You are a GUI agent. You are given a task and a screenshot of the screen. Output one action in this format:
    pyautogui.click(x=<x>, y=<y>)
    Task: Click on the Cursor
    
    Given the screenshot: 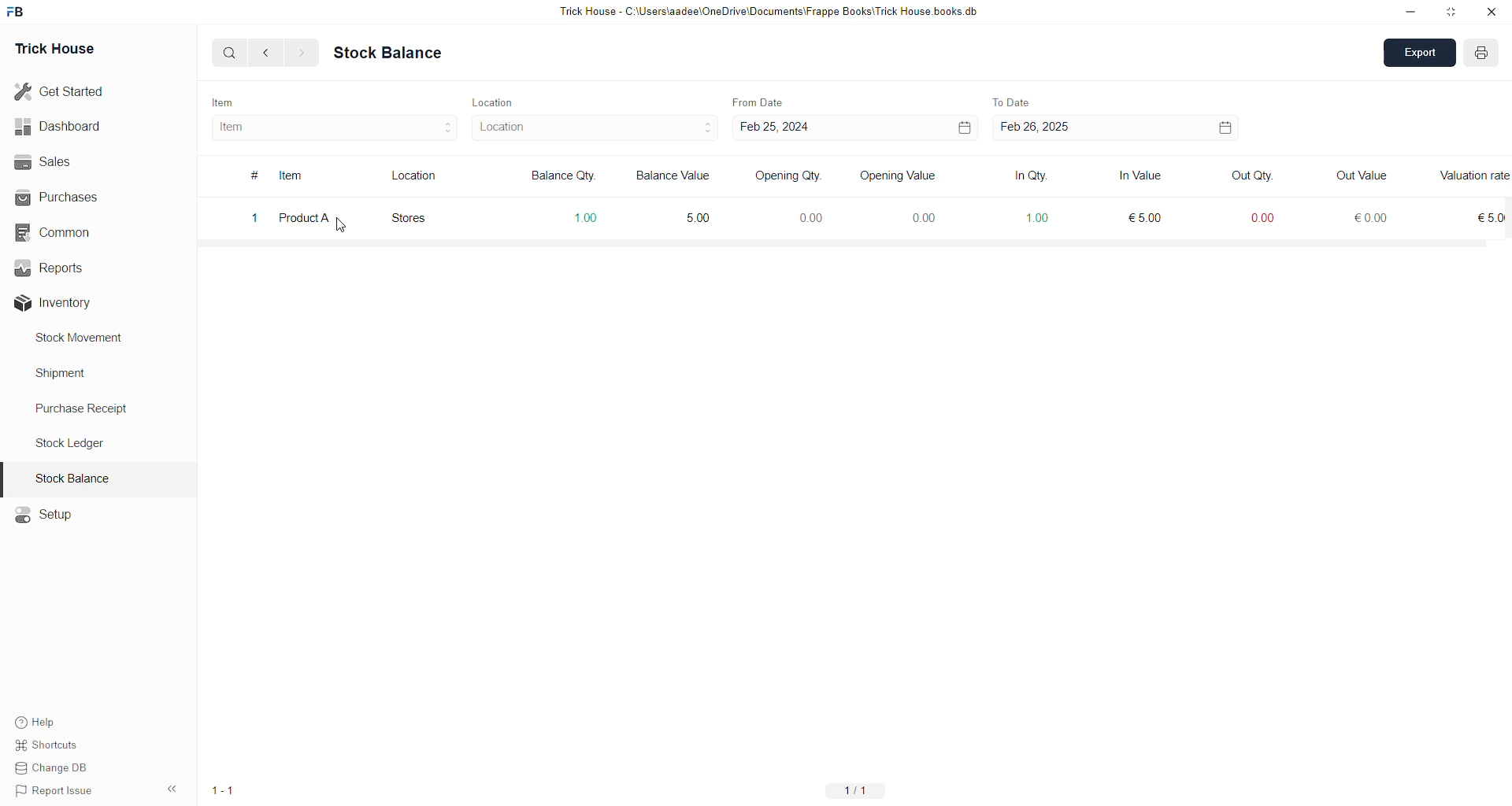 What is the action you would take?
    pyautogui.click(x=341, y=226)
    